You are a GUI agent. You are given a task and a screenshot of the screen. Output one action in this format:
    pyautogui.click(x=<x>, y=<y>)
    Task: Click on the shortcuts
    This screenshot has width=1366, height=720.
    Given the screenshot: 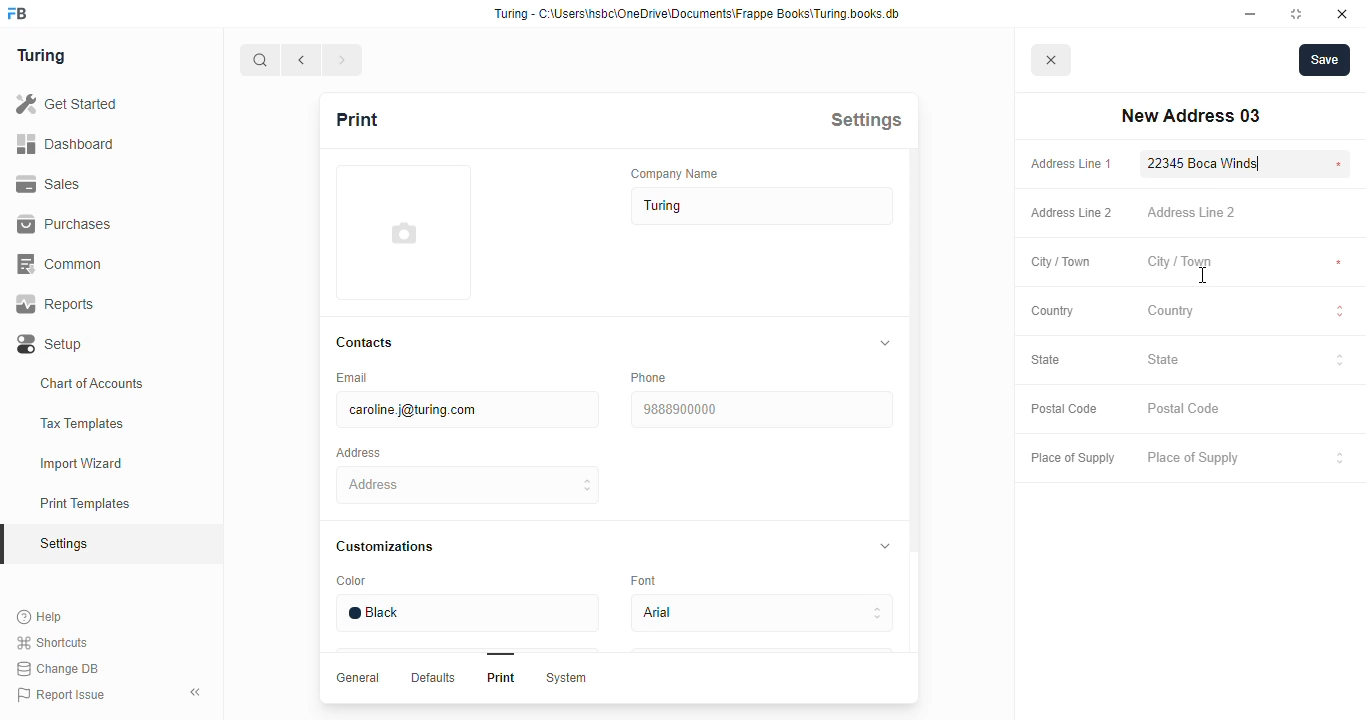 What is the action you would take?
    pyautogui.click(x=52, y=643)
    